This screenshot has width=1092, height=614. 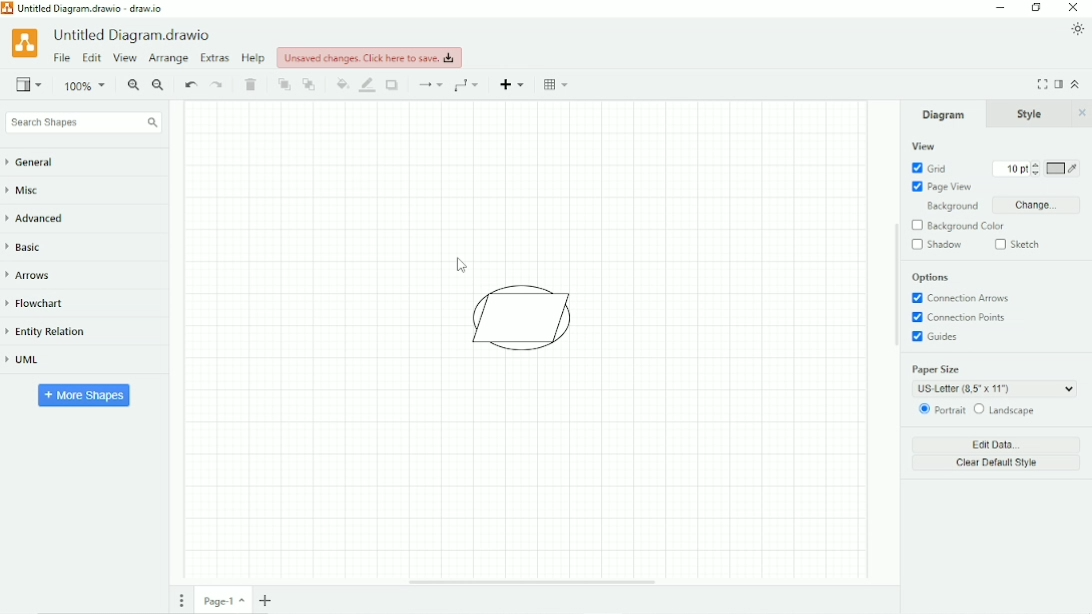 I want to click on Close, so click(x=1082, y=113).